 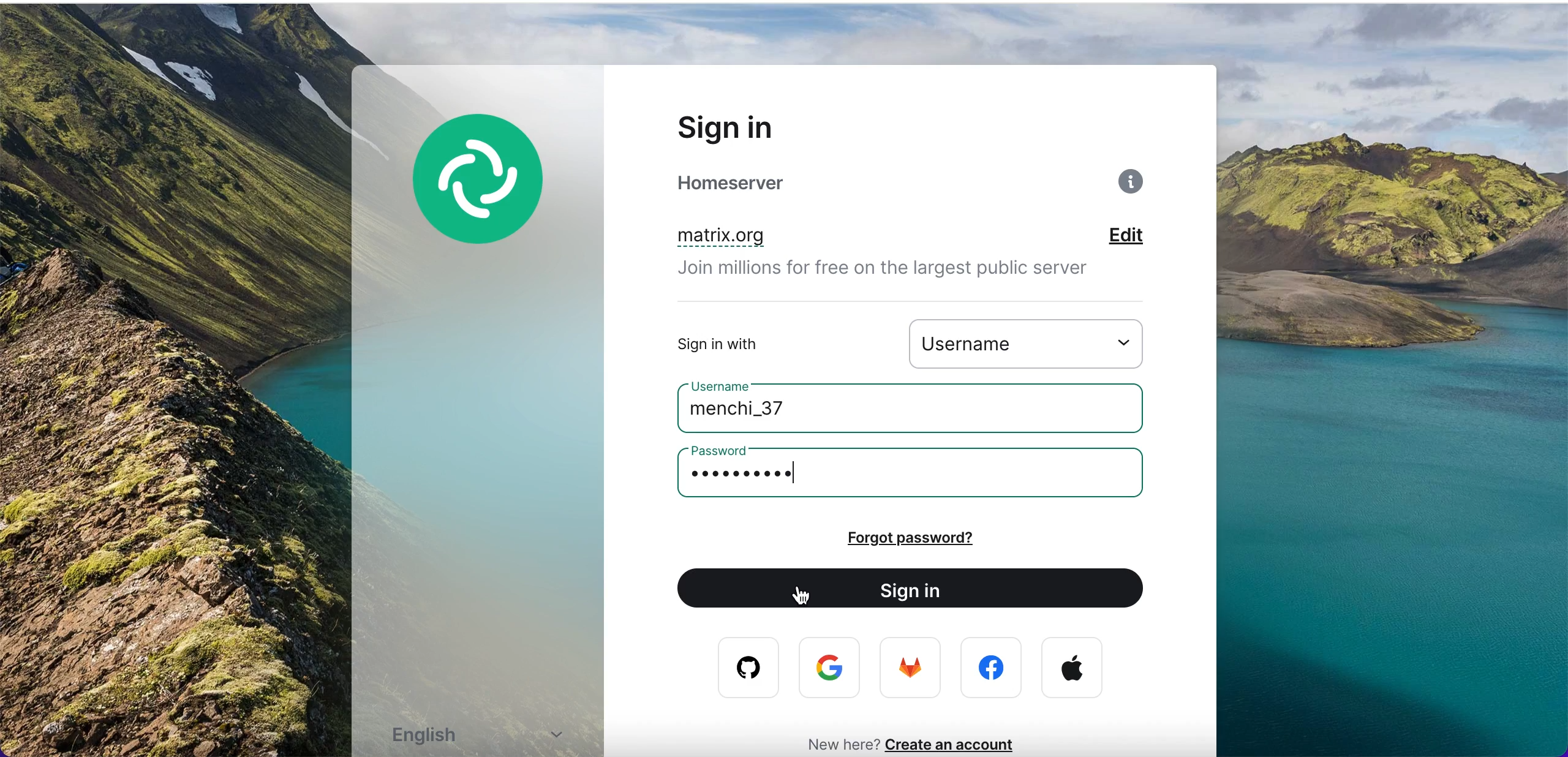 What do you see at coordinates (918, 589) in the screenshot?
I see `sign in` at bounding box center [918, 589].